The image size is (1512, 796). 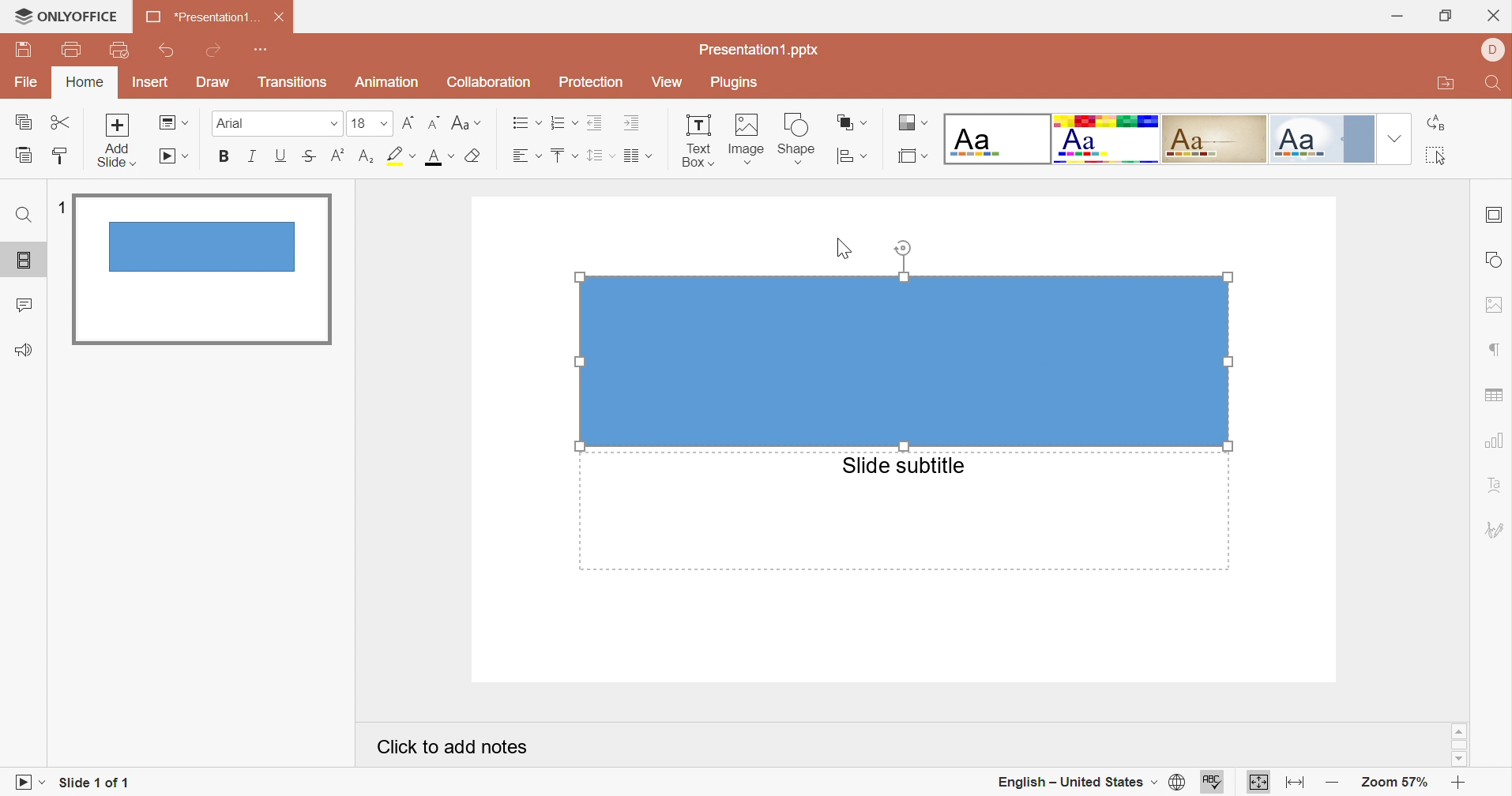 What do you see at coordinates (150, 81) in the screenshot?
I see `Insert` at bounding box center [150, 81].